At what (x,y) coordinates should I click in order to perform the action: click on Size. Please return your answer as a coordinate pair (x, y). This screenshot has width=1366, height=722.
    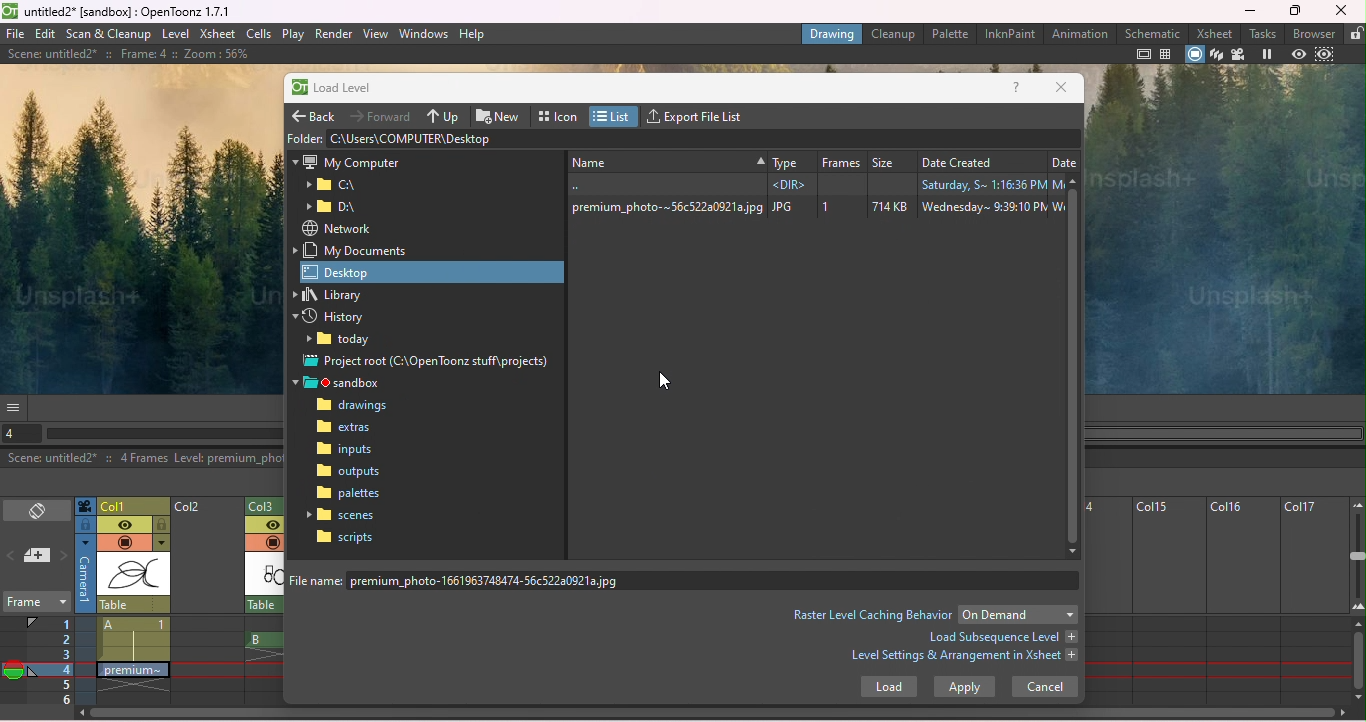
    Looking at the image, I should click on (891, 159).